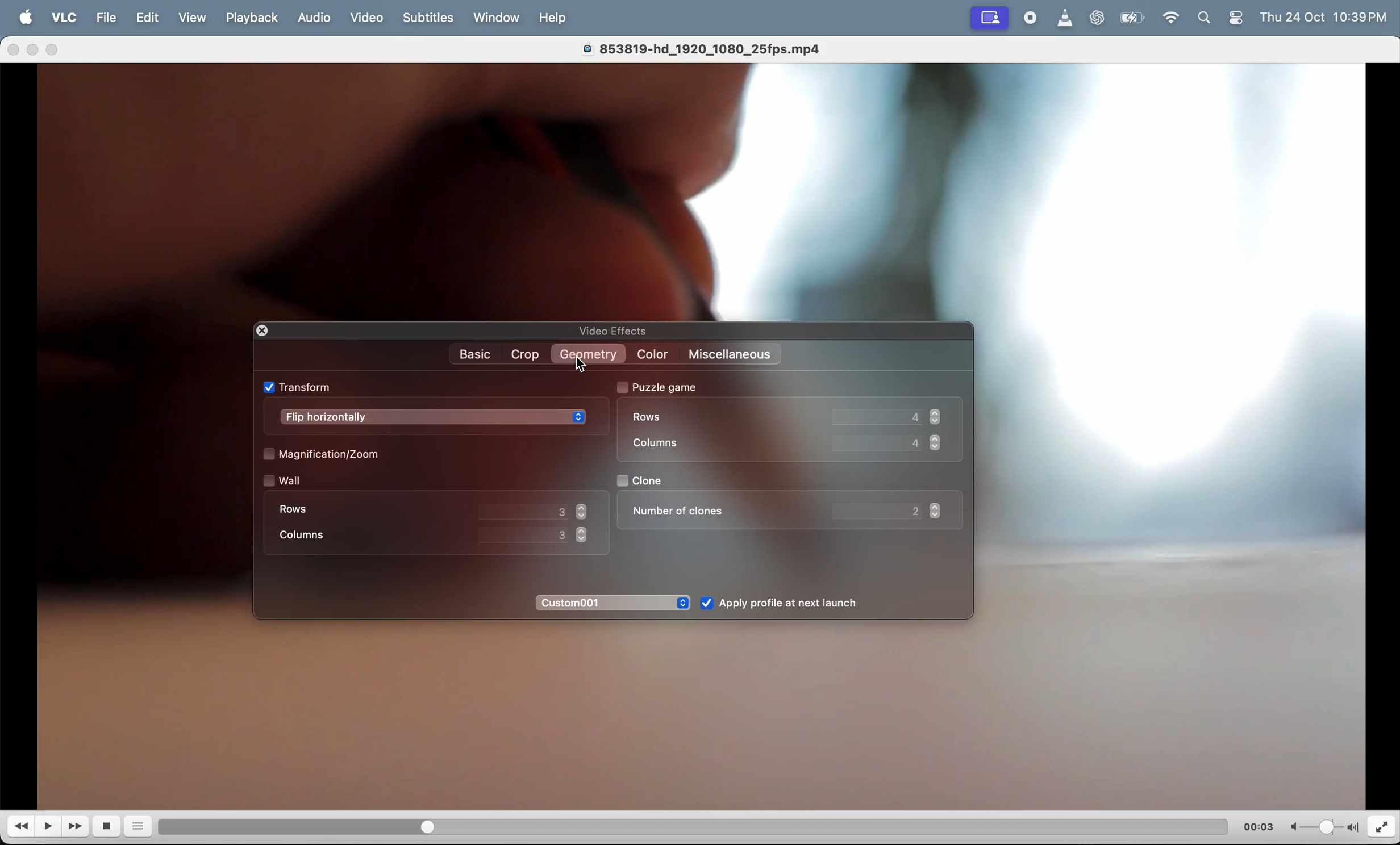  Describe the element at coordinates (315, 19) in the screenshot. I see `Audio` at that location.